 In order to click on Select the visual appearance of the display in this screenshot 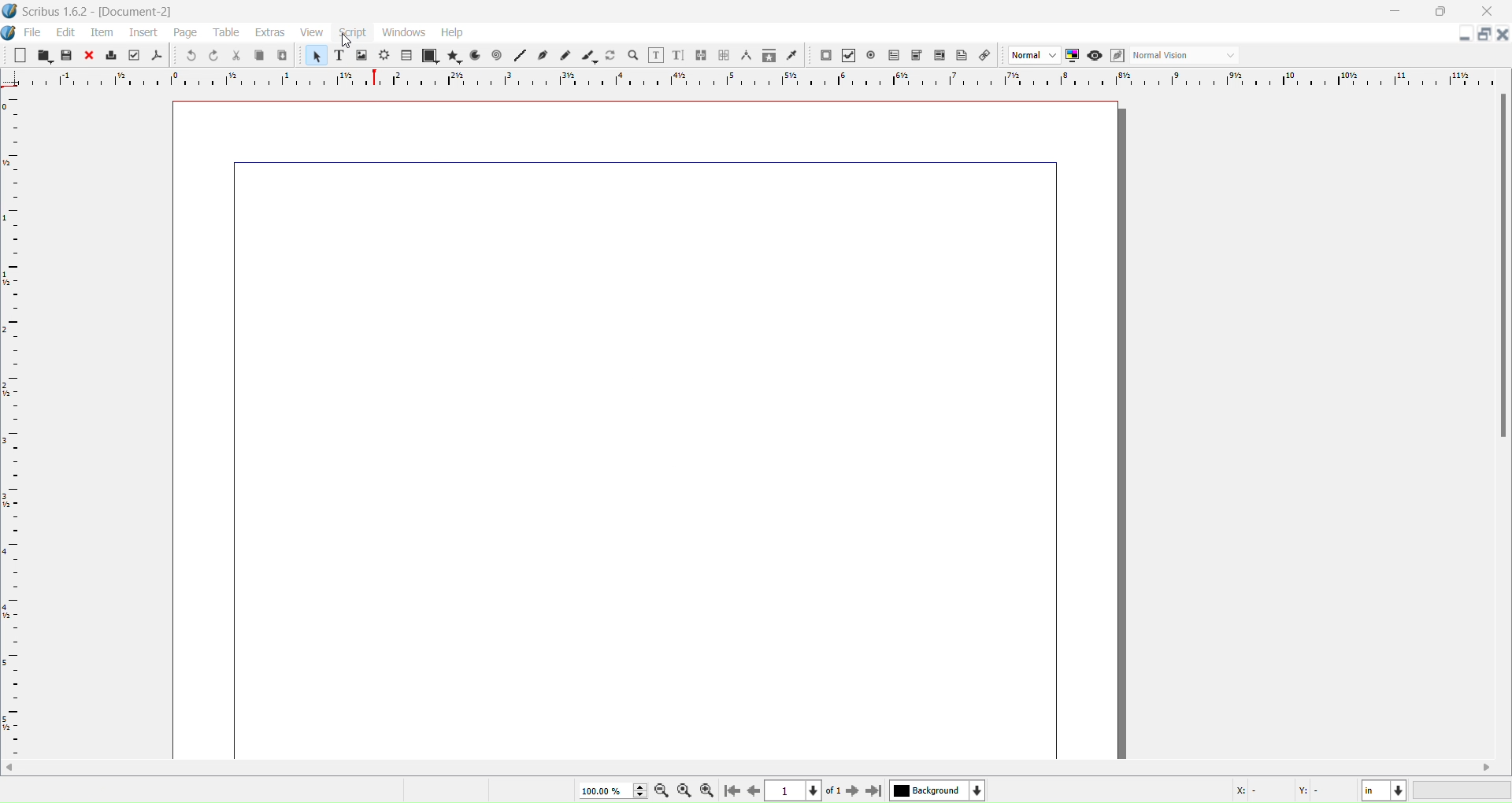, I will do `click(1186, 56)`.